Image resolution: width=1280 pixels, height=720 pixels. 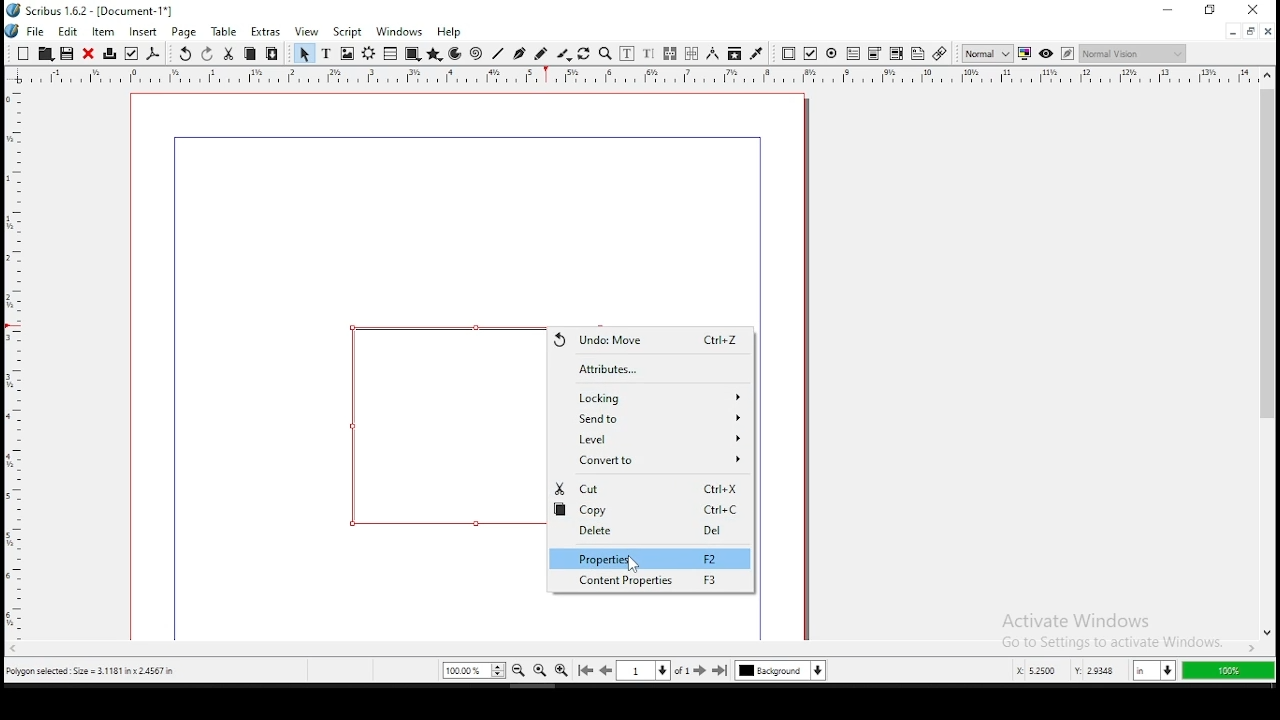 I want to click on rotate item, so click(x=584, y=54).